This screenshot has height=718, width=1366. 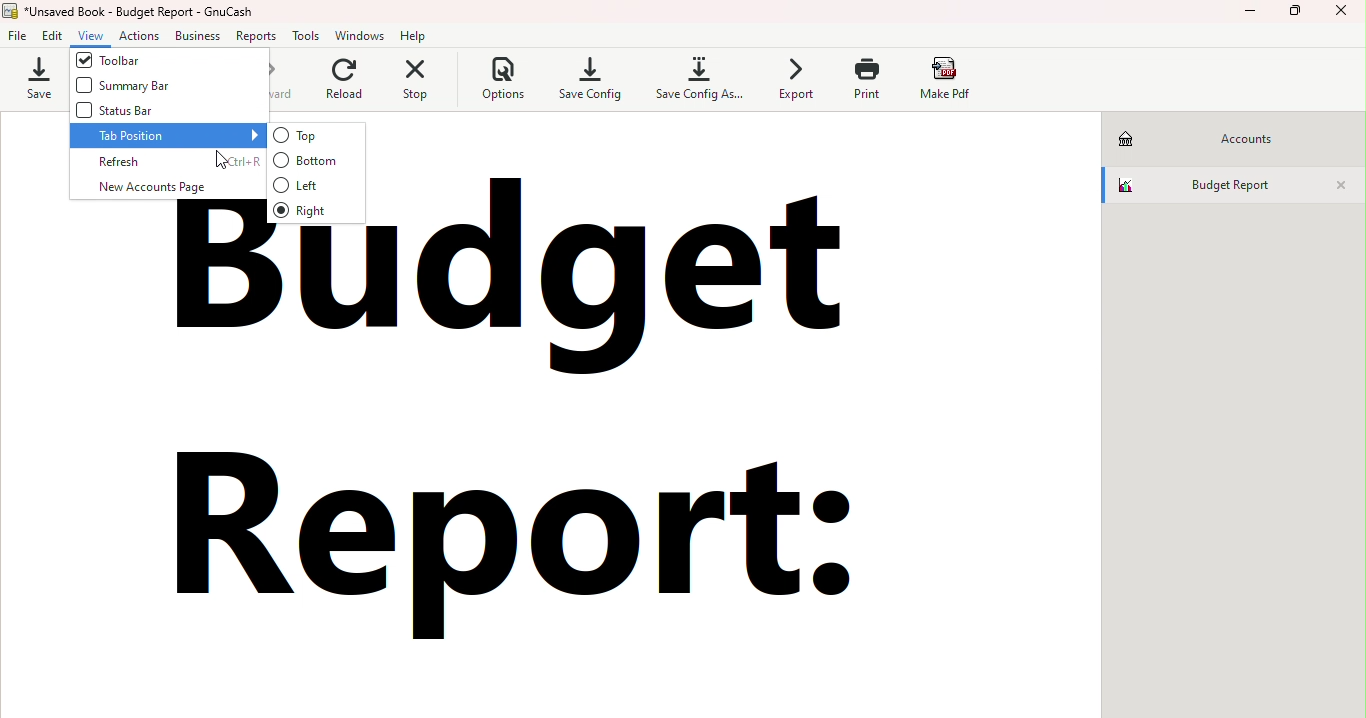 I want to click on Save config, so click(x=592, y=77).